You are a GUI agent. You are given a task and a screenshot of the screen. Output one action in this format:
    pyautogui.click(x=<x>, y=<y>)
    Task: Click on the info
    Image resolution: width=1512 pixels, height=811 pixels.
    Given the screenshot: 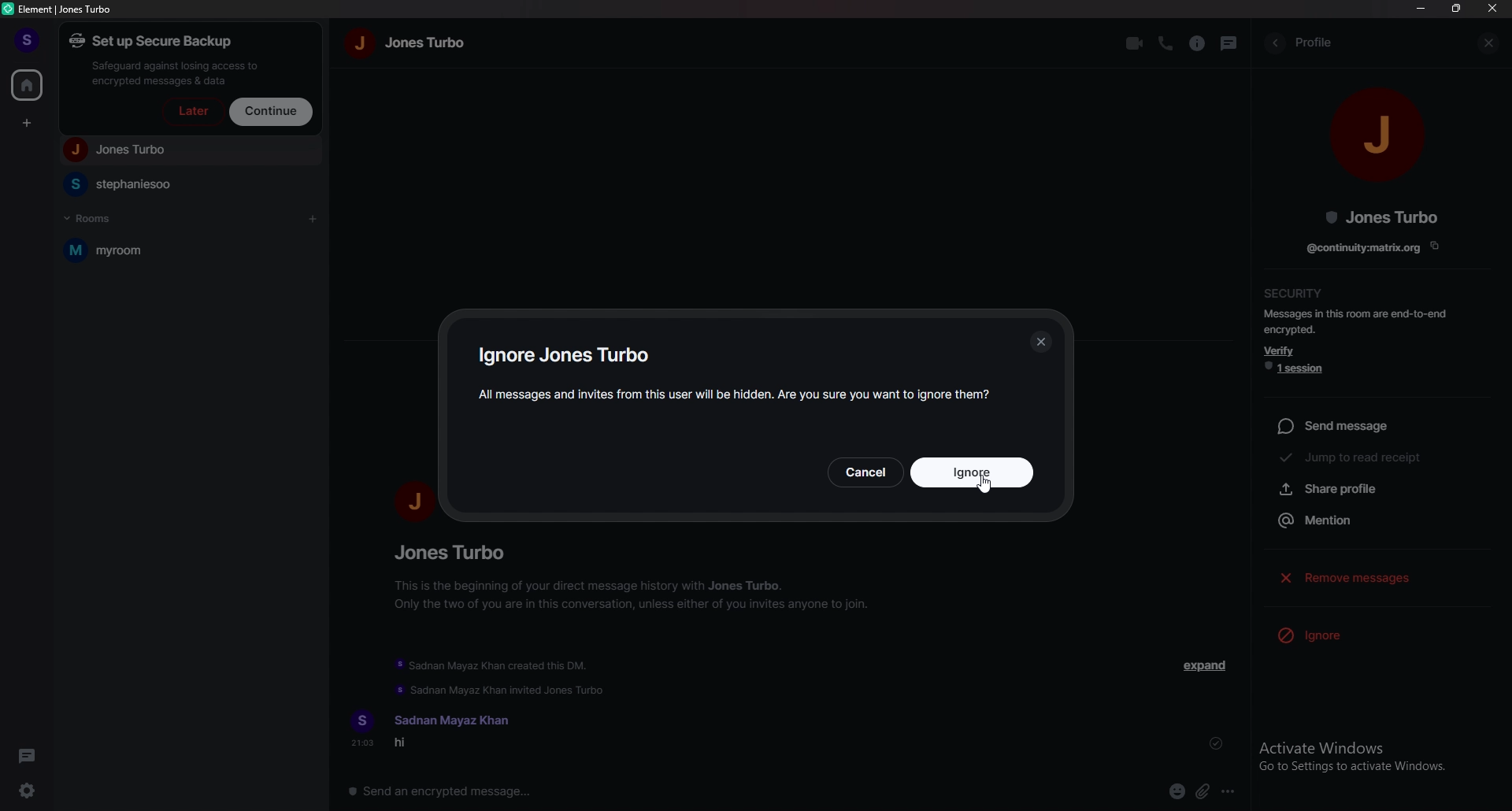 What is the action you would take?
    pyautogui.click(x=634, y=594)
    